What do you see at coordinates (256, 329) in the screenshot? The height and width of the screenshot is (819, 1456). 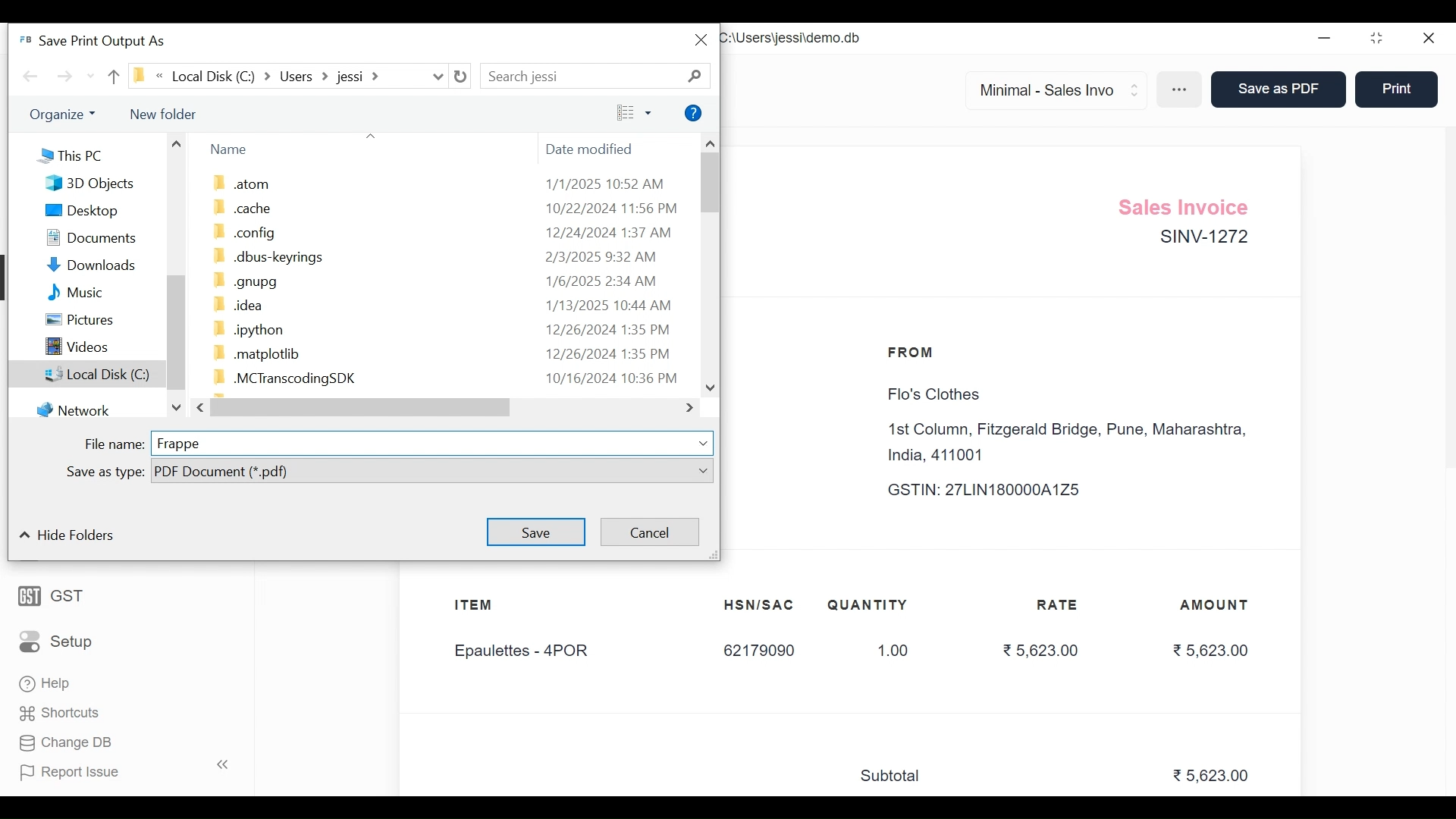 I see `.ipython` at bounding box center [256, 329].